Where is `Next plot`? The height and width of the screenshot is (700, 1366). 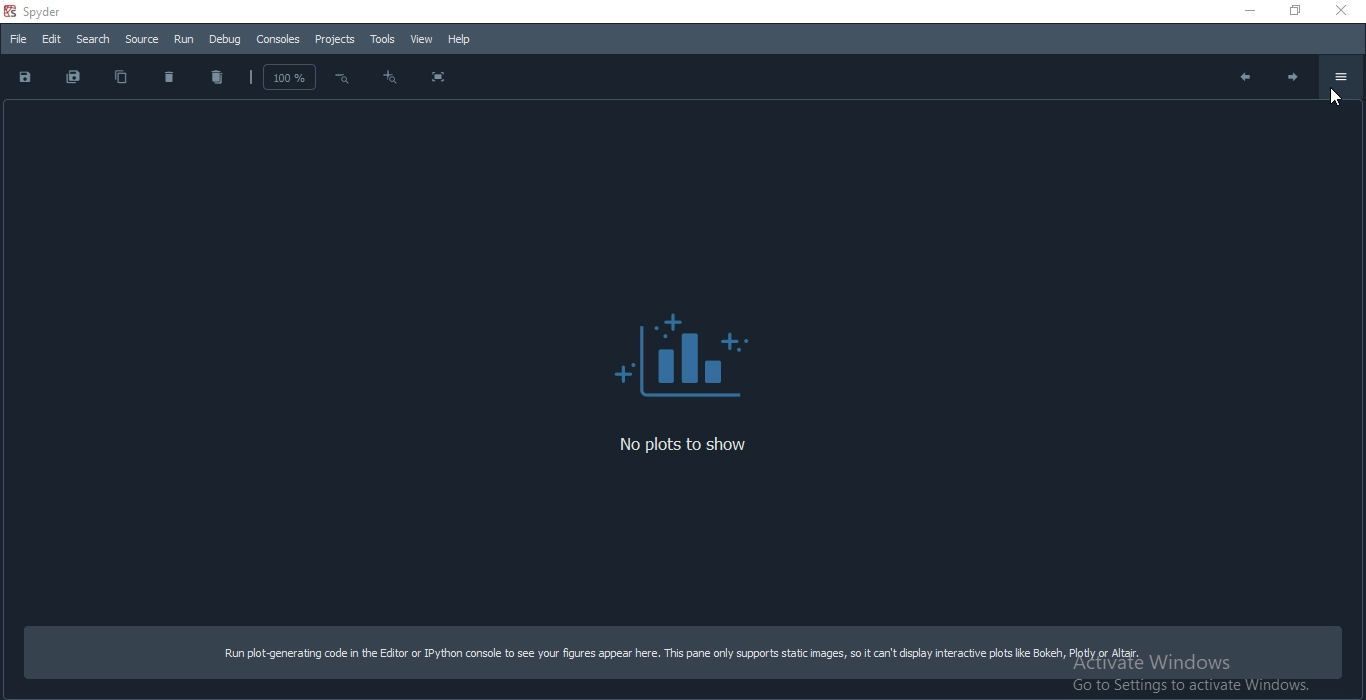 Next plot is located at coordinates (1295, 80).